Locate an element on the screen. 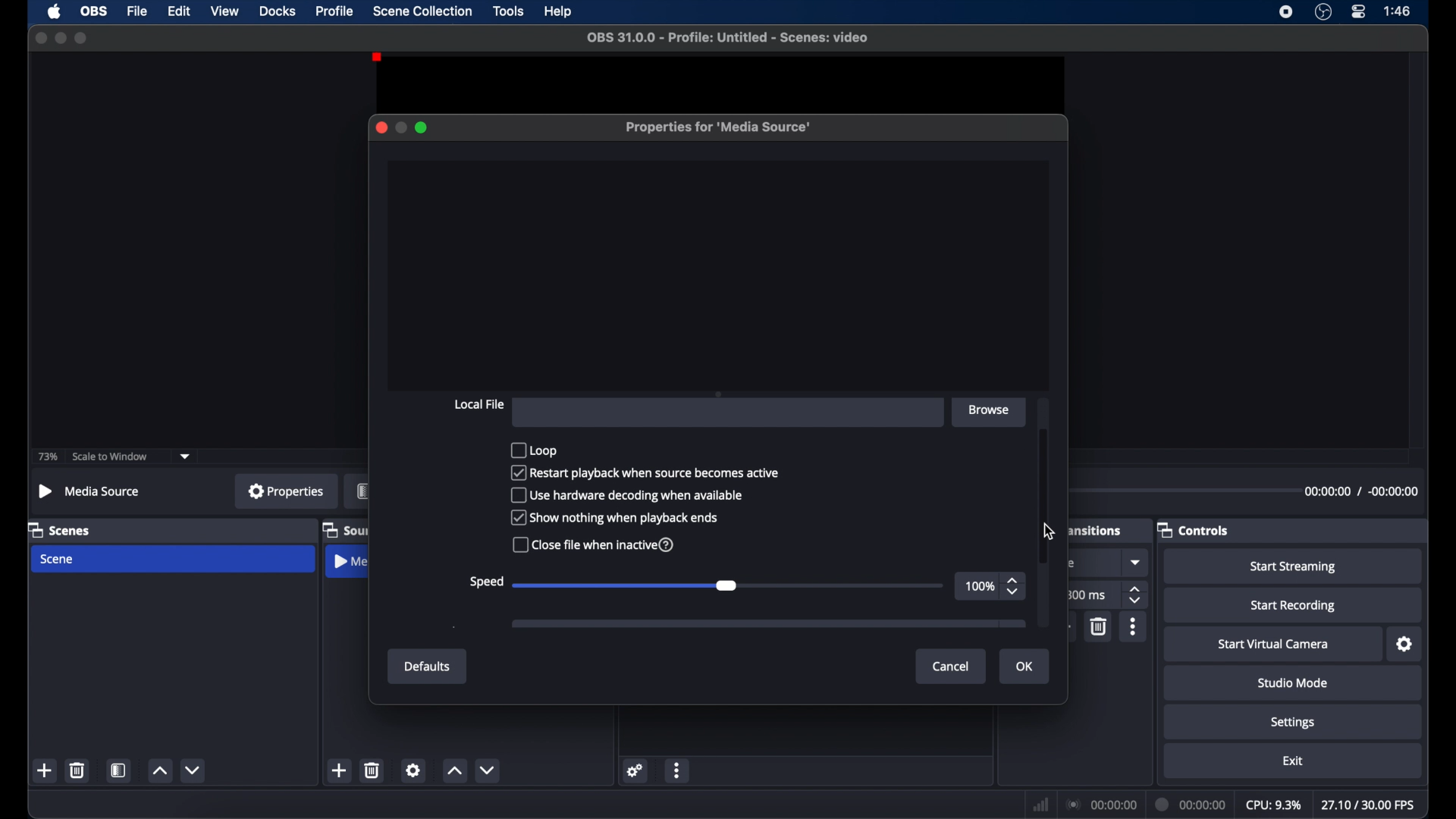  maximize is located at coordinates (82, 38).